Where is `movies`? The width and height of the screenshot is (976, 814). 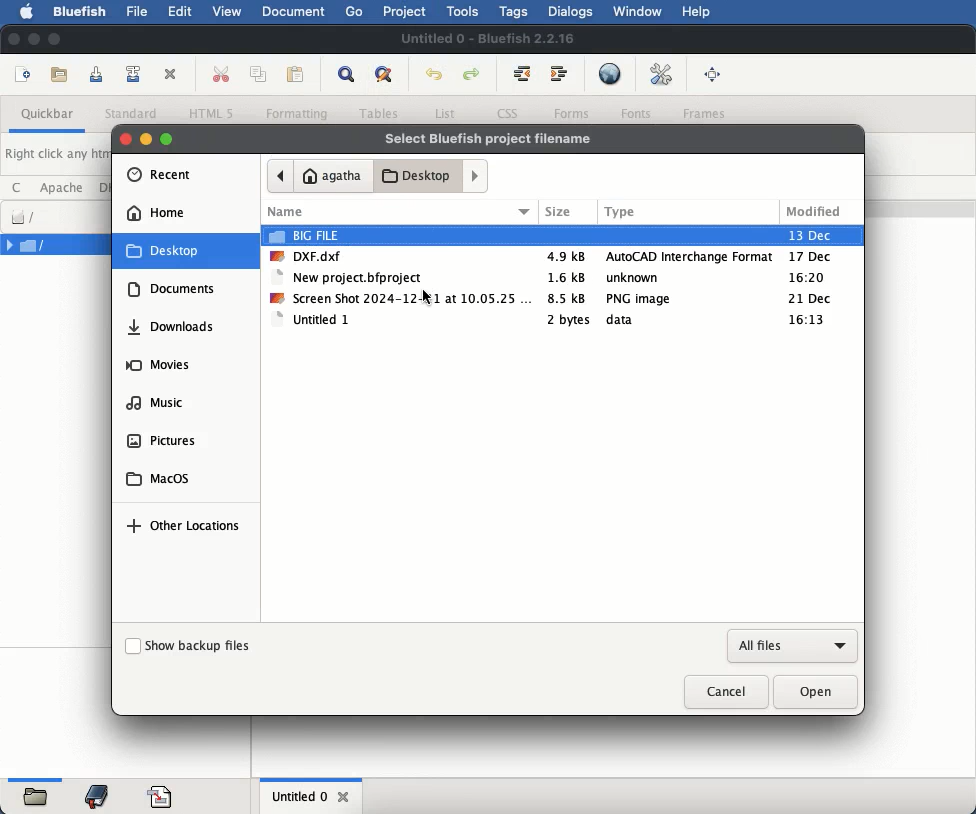 movies is located at coordinates (157, 367).